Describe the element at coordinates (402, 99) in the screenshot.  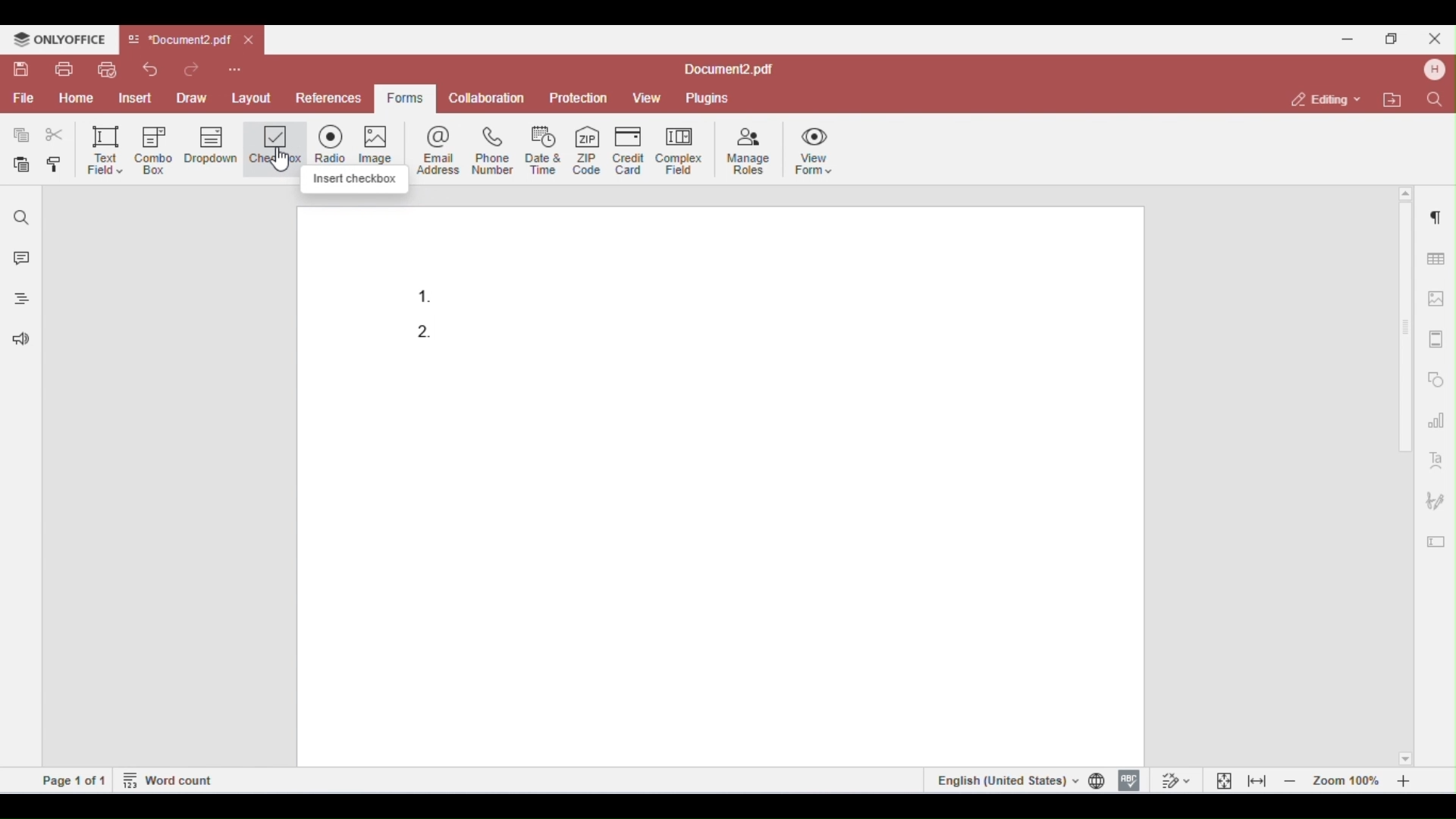
I see `forms` at that location.